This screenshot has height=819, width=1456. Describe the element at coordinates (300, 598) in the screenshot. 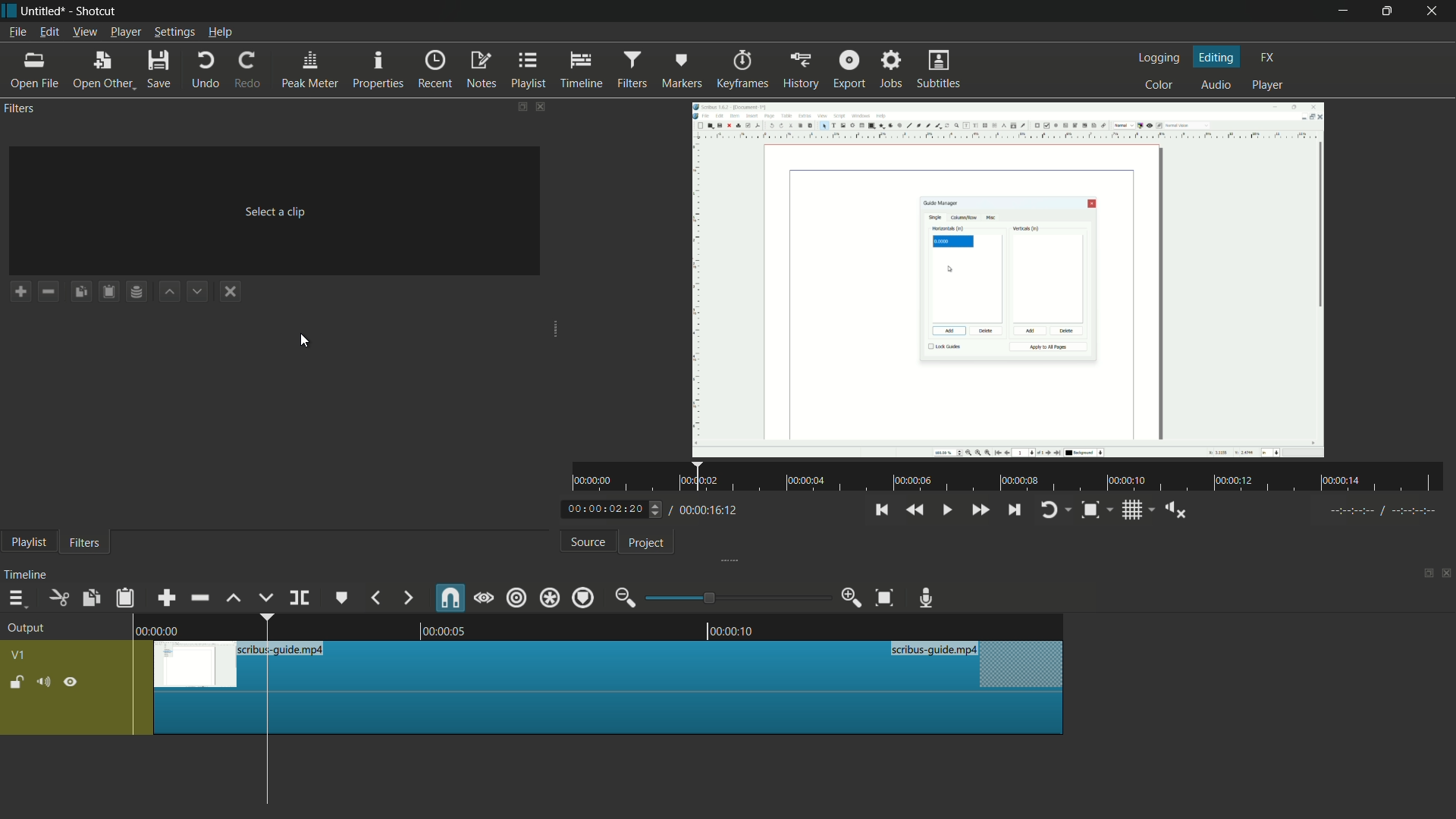

I see `split at playhead` at that location.